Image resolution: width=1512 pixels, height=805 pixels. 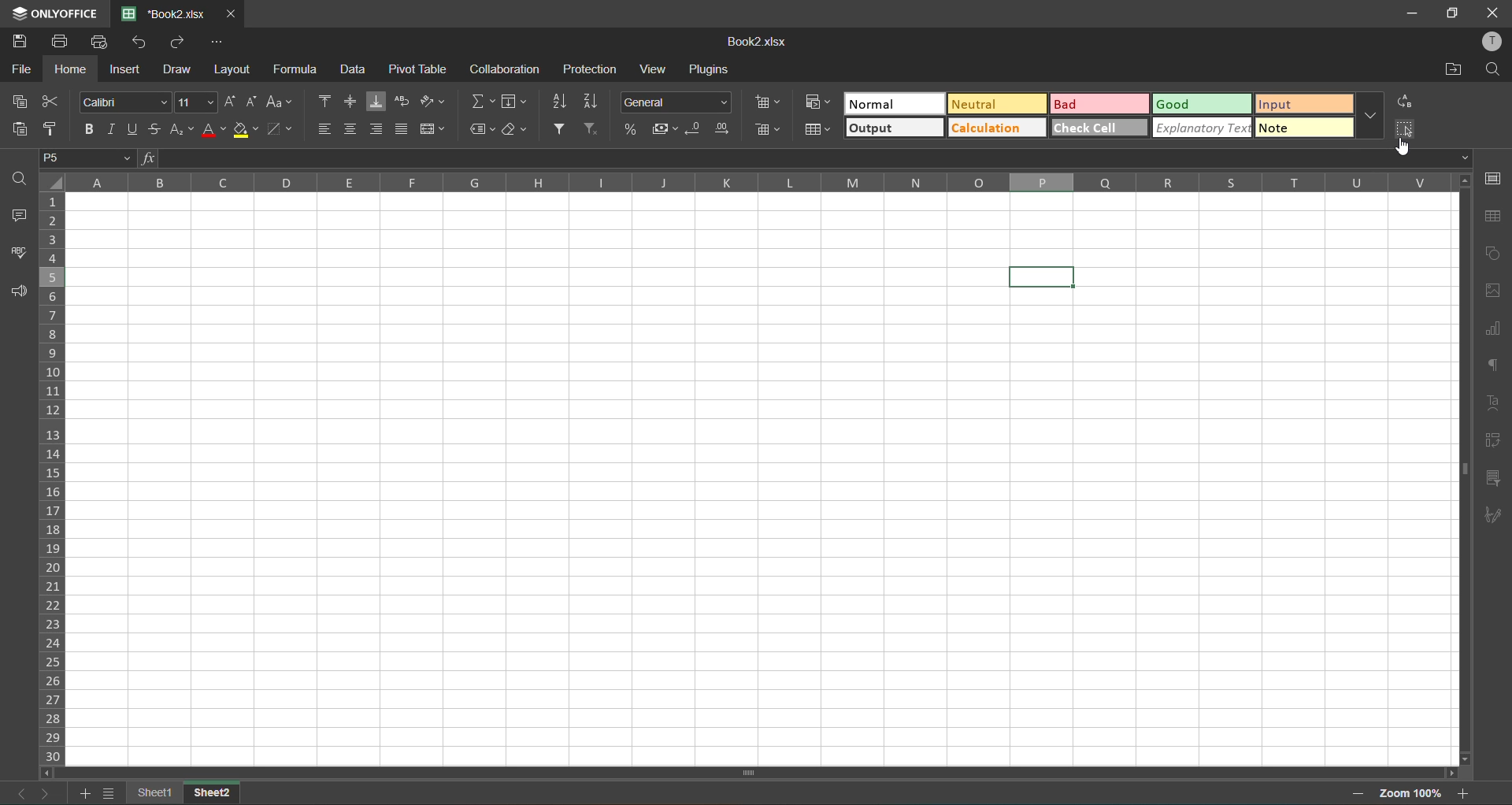 What do you see at coordinates (128, 69) in the screenshot?
I see `insert` at bounding box center [128, 69].